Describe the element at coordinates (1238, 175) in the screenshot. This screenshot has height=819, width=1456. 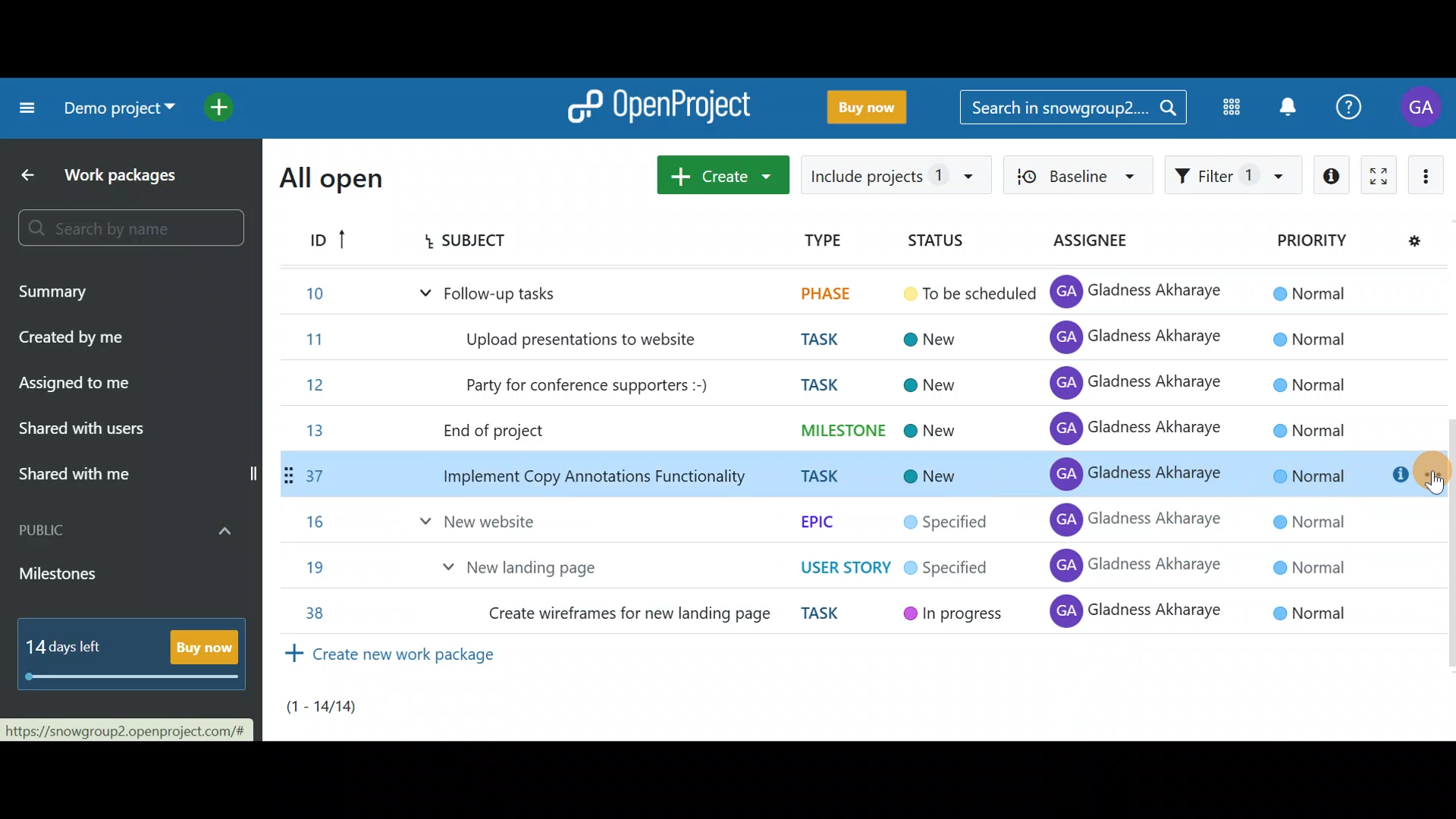
I see `Filter work packages` at that location.